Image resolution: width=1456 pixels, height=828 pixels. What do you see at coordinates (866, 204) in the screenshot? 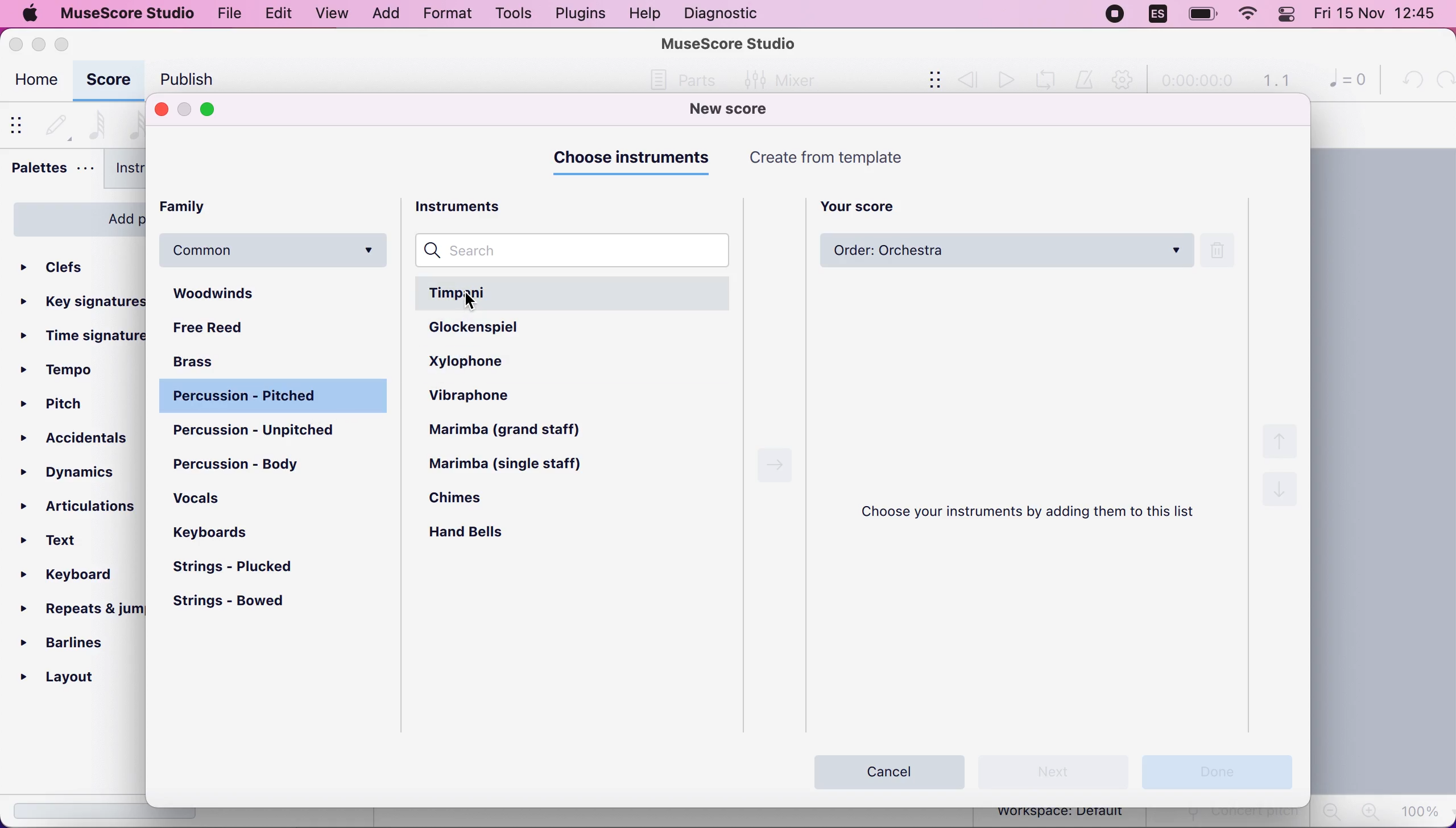
I see `your score` at bounding box center [866, 204].